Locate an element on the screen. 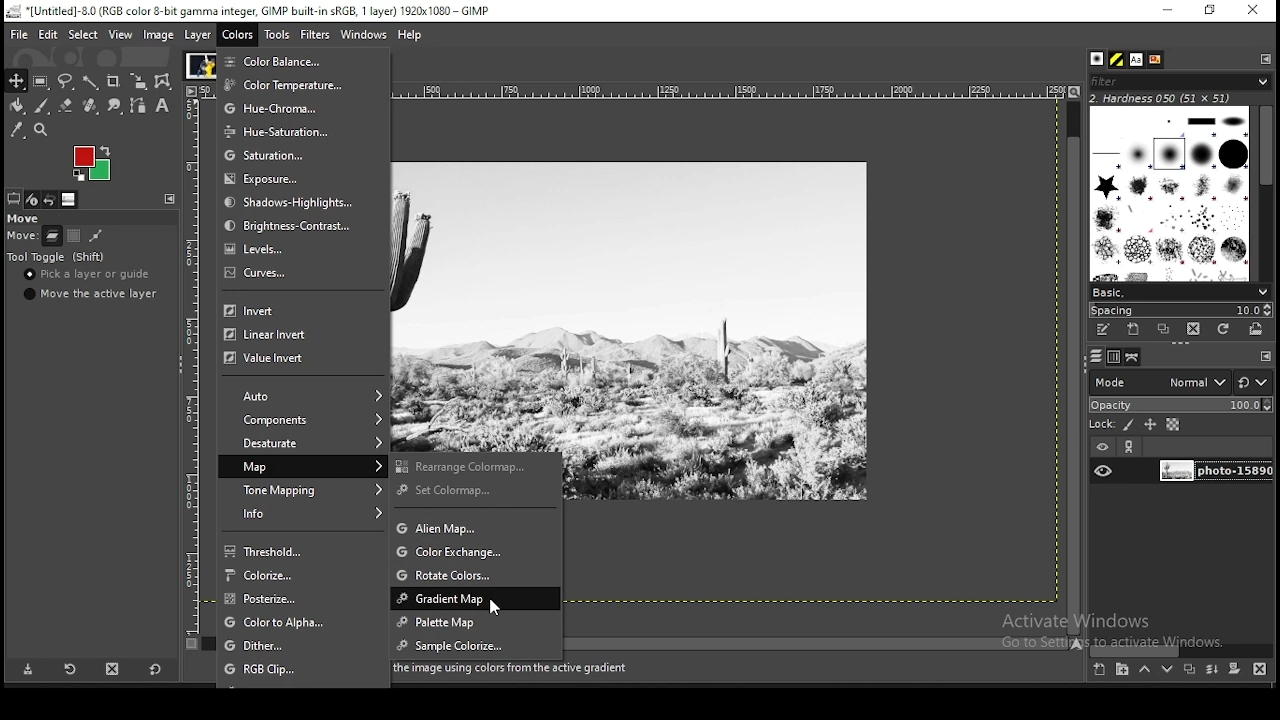 This screenshot has width=1280, height=720. paint bucket tool is located at coordinates (17, 106).